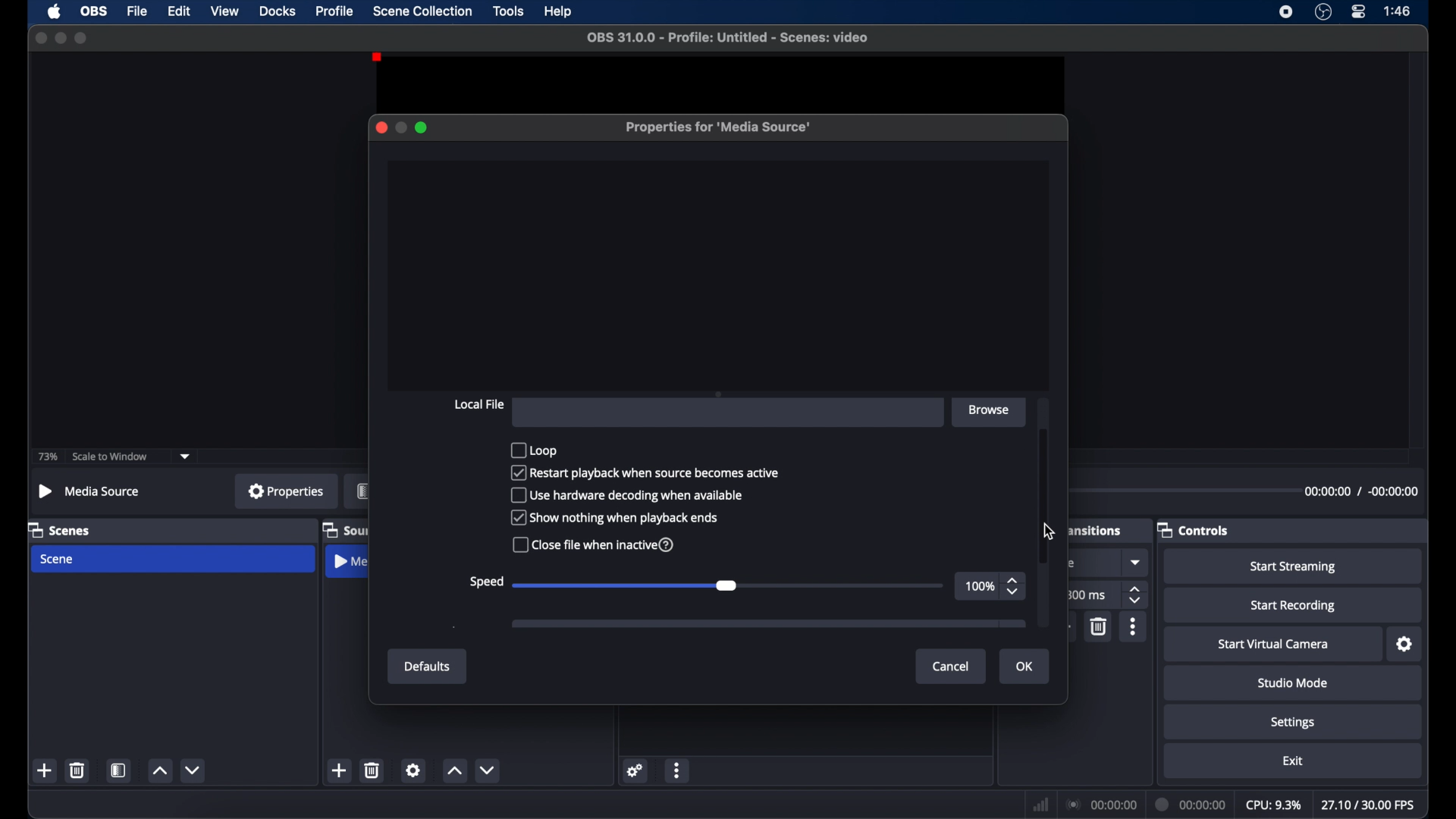 The width and height of the screenshot is (1456, 819). I want to click on add, so click(338, 770).